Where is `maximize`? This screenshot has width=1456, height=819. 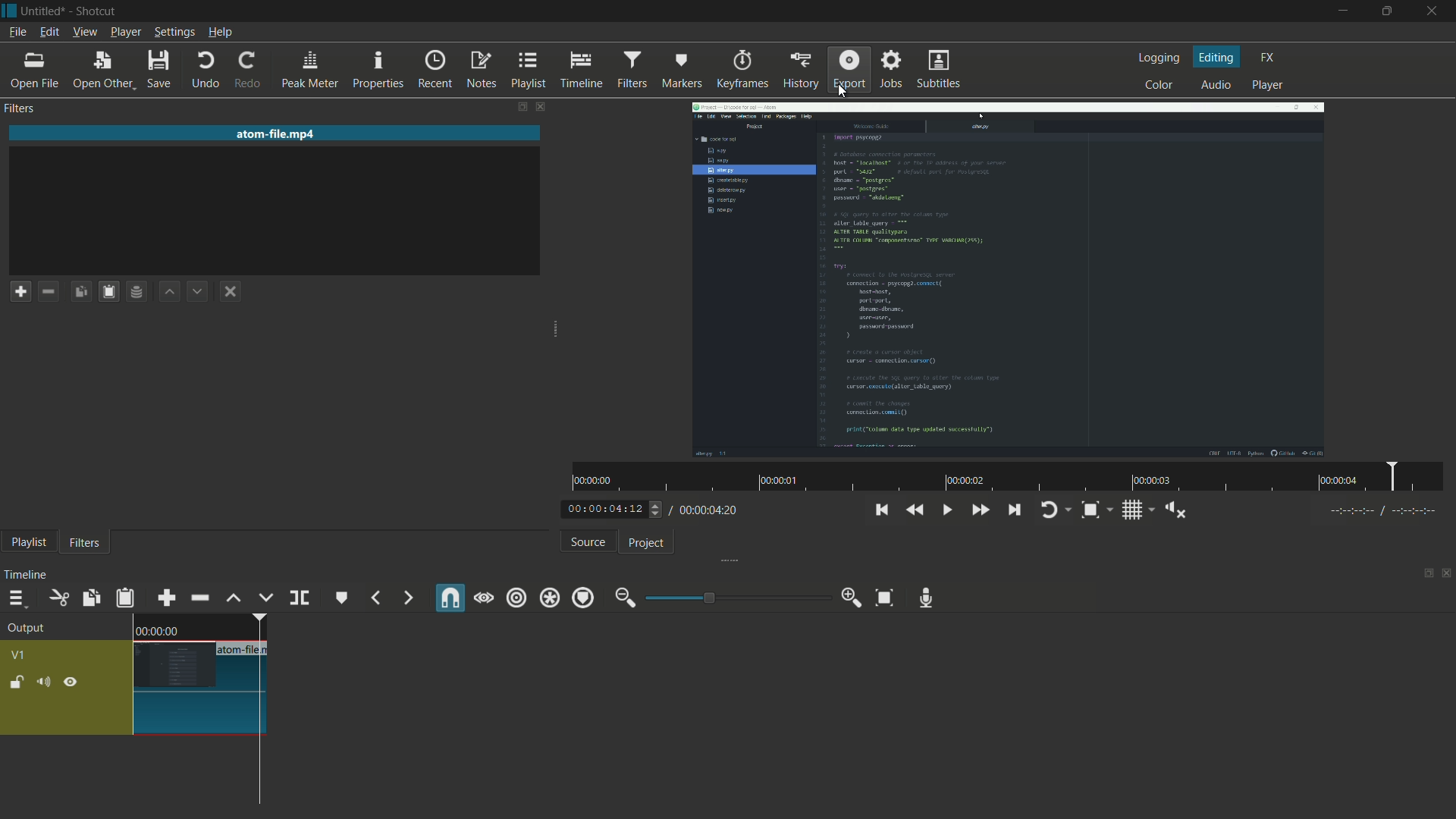
maximize is located at coordinates (1389, 11).